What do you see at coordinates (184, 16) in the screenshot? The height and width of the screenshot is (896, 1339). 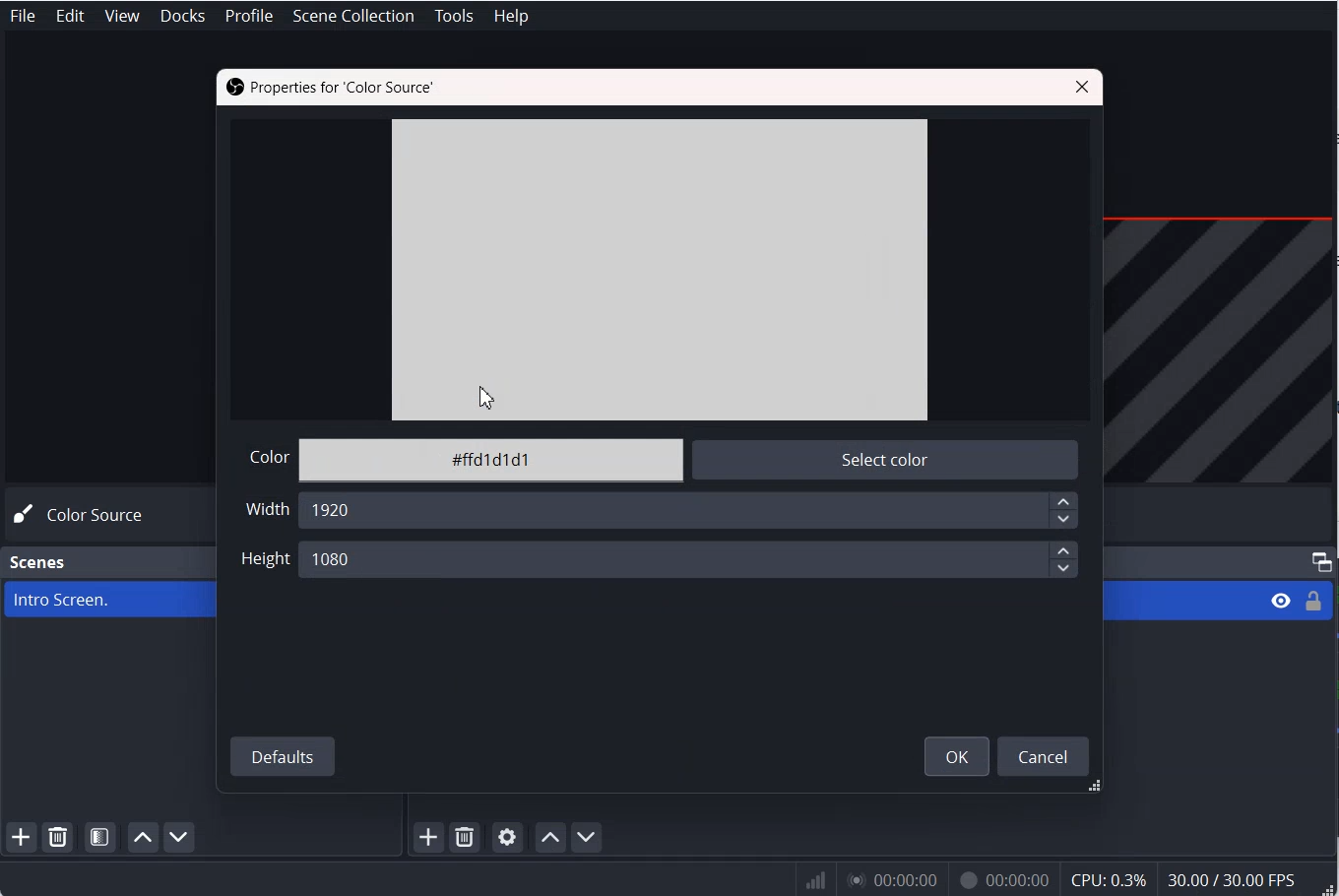 I see `Docks` at bounding box center [184, 16].